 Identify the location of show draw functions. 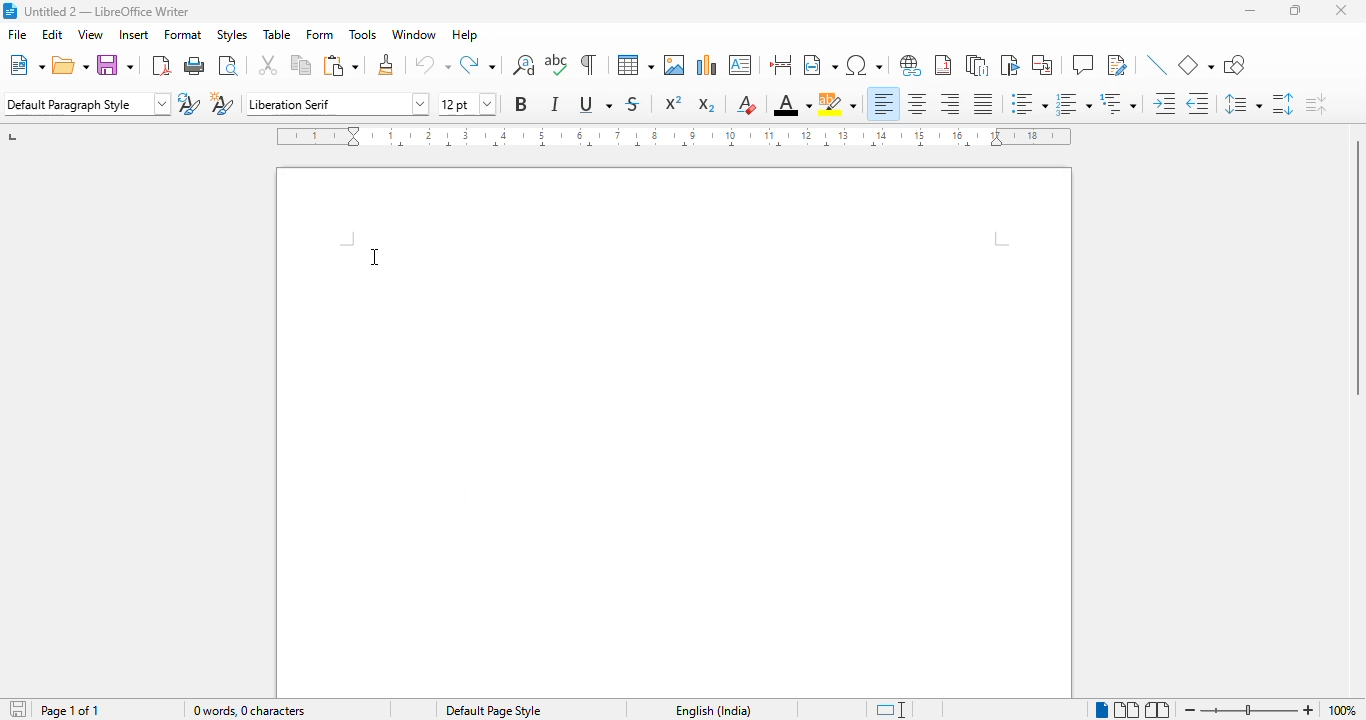
(1234, 64).